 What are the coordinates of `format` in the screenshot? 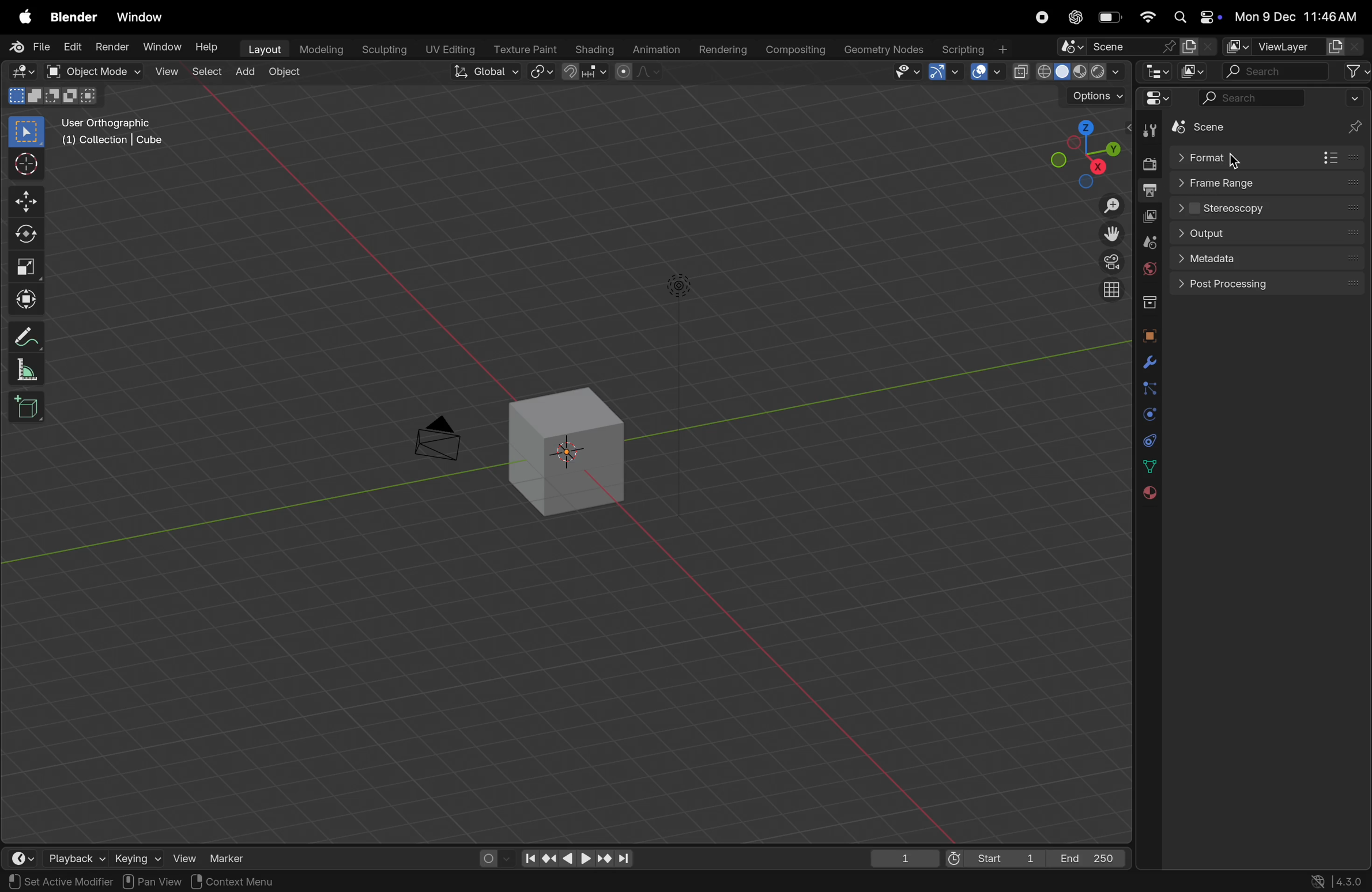 It's located at (1264, 158).